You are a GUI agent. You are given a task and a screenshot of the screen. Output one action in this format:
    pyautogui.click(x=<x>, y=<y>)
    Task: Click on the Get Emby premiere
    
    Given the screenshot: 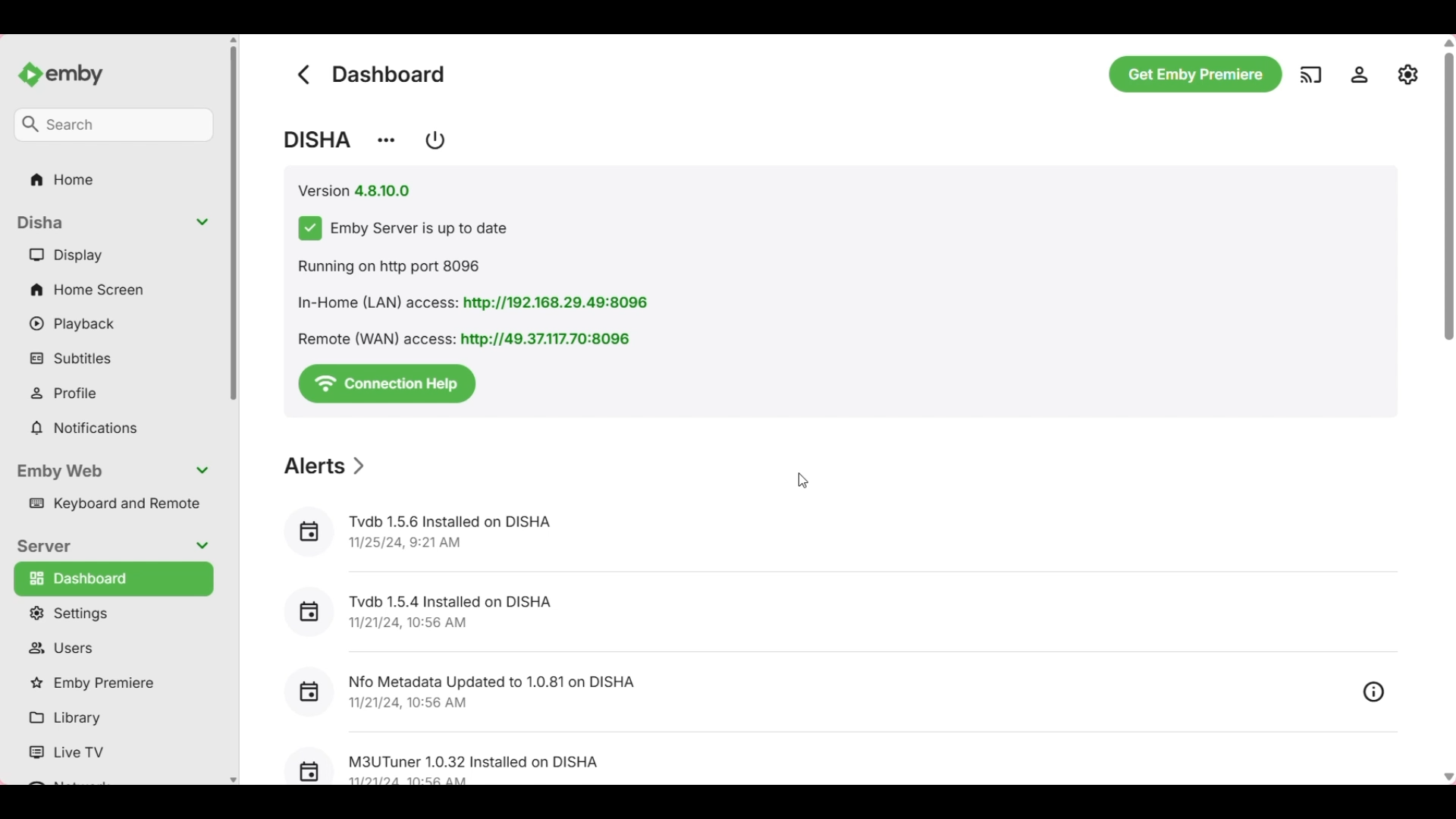 What is the action you would take?
    pyautogui.click(x=1196, y=74)
    